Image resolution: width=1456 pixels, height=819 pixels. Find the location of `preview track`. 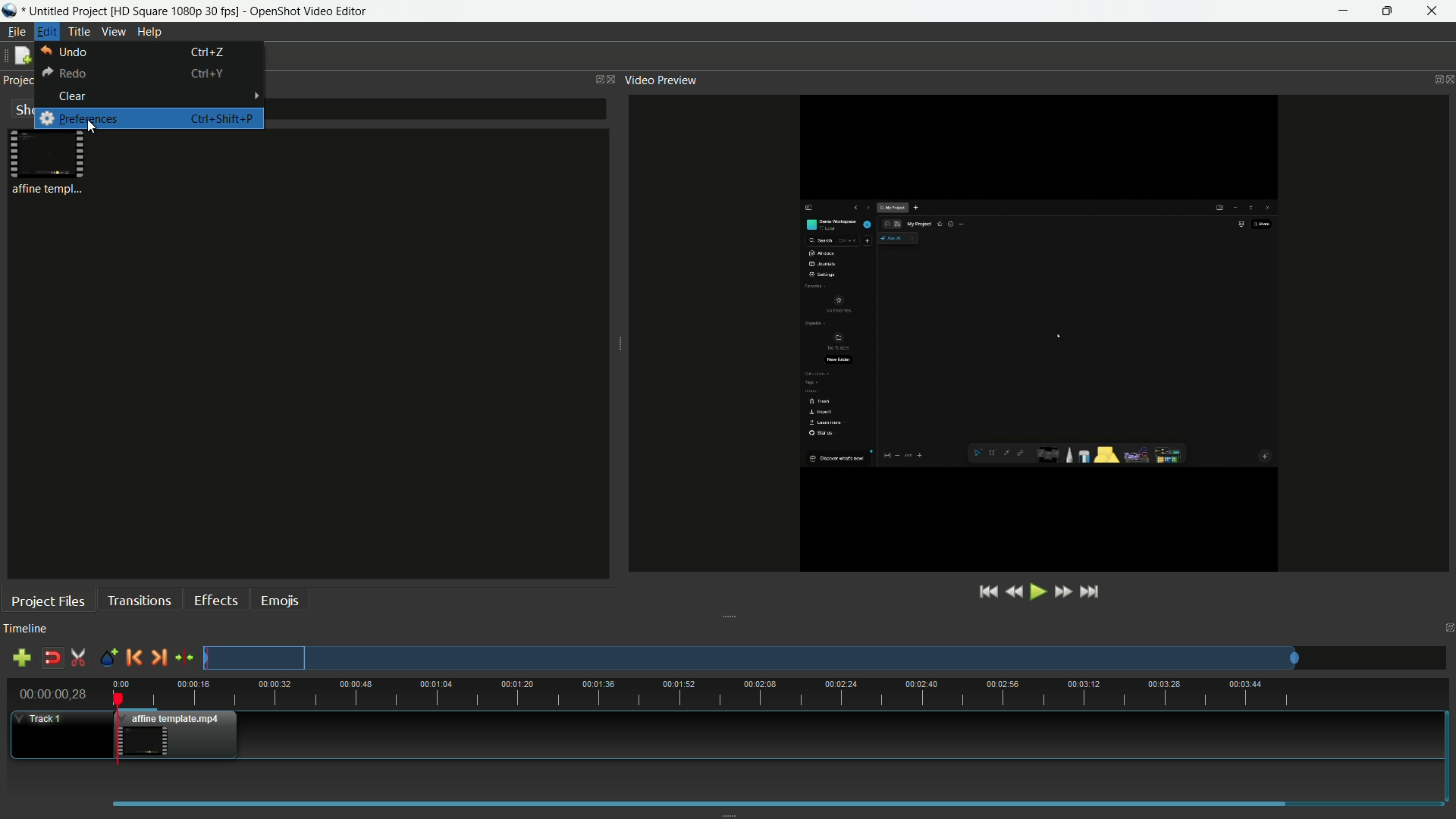

preview track is located at coordinates (750, 657).